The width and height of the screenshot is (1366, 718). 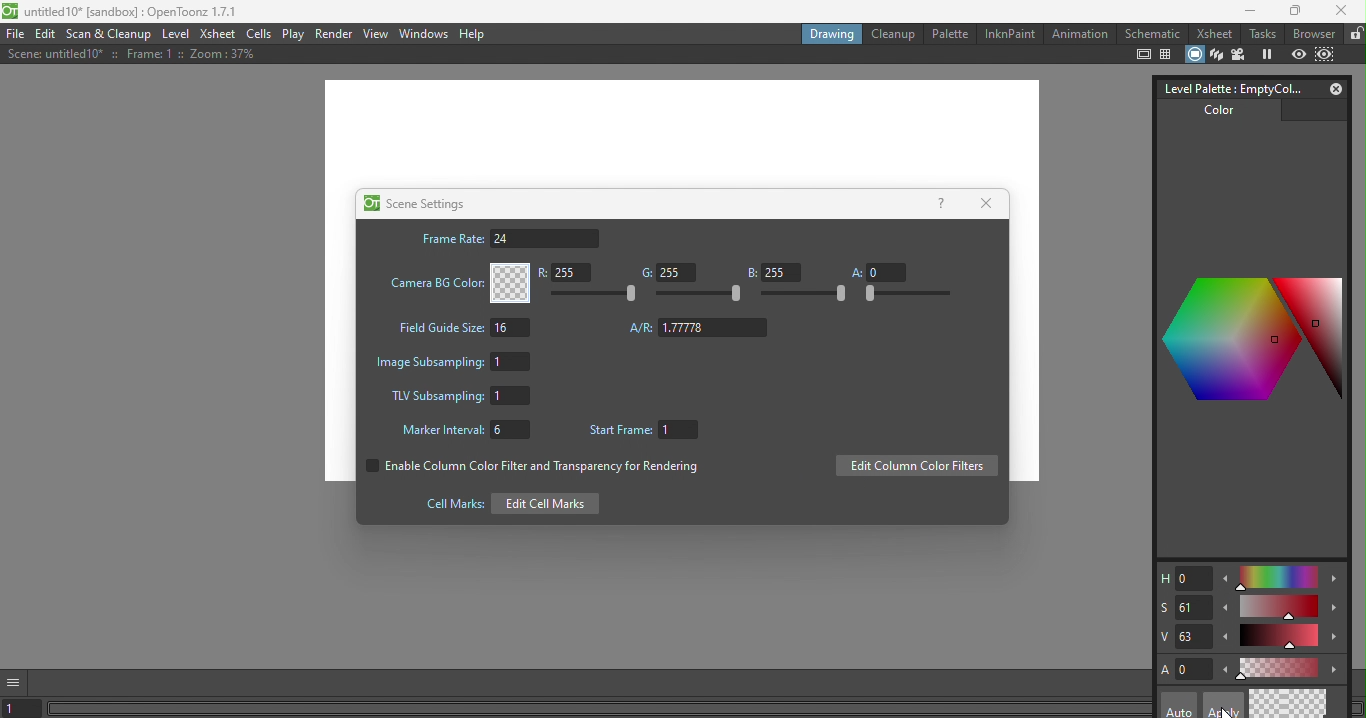 What do you see at coordinates (1334, 581) in the screenshot?
I see `` at bounding box center [1334, 581].